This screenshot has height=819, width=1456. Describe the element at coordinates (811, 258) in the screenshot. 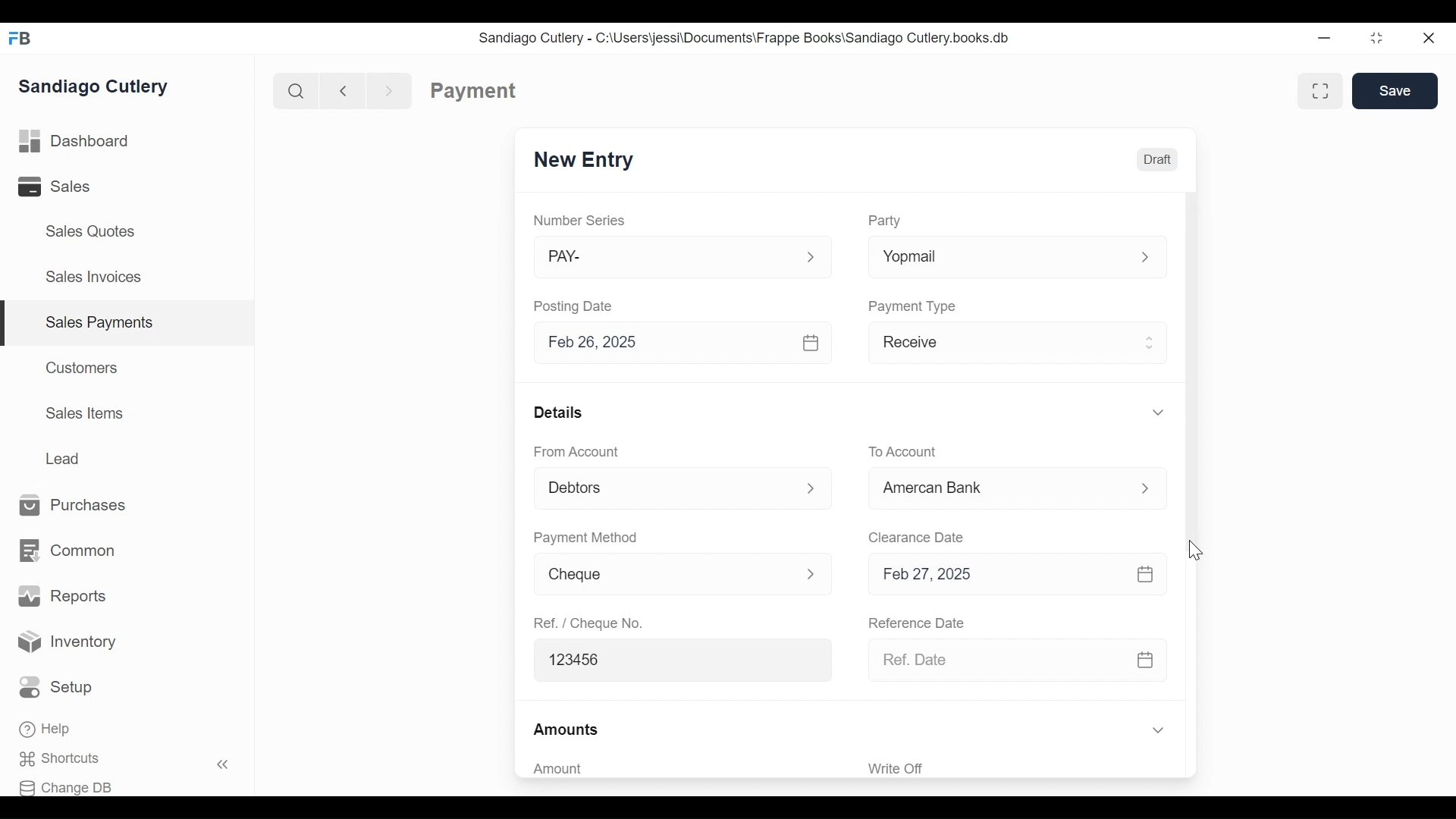

I see `Expand` at that location.